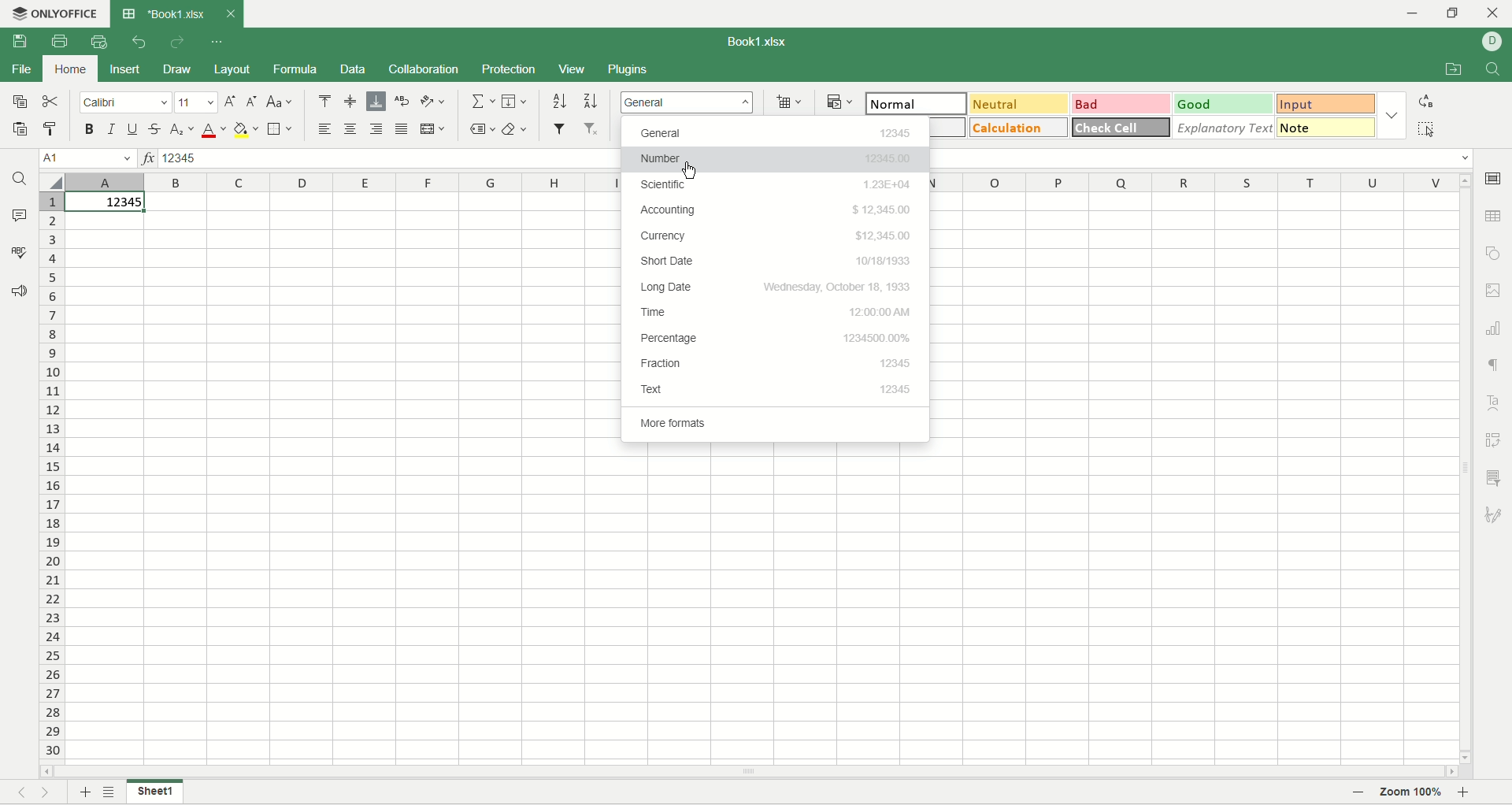 The image size is (1512, 805). I want to click on cursor, so click(691, 173).